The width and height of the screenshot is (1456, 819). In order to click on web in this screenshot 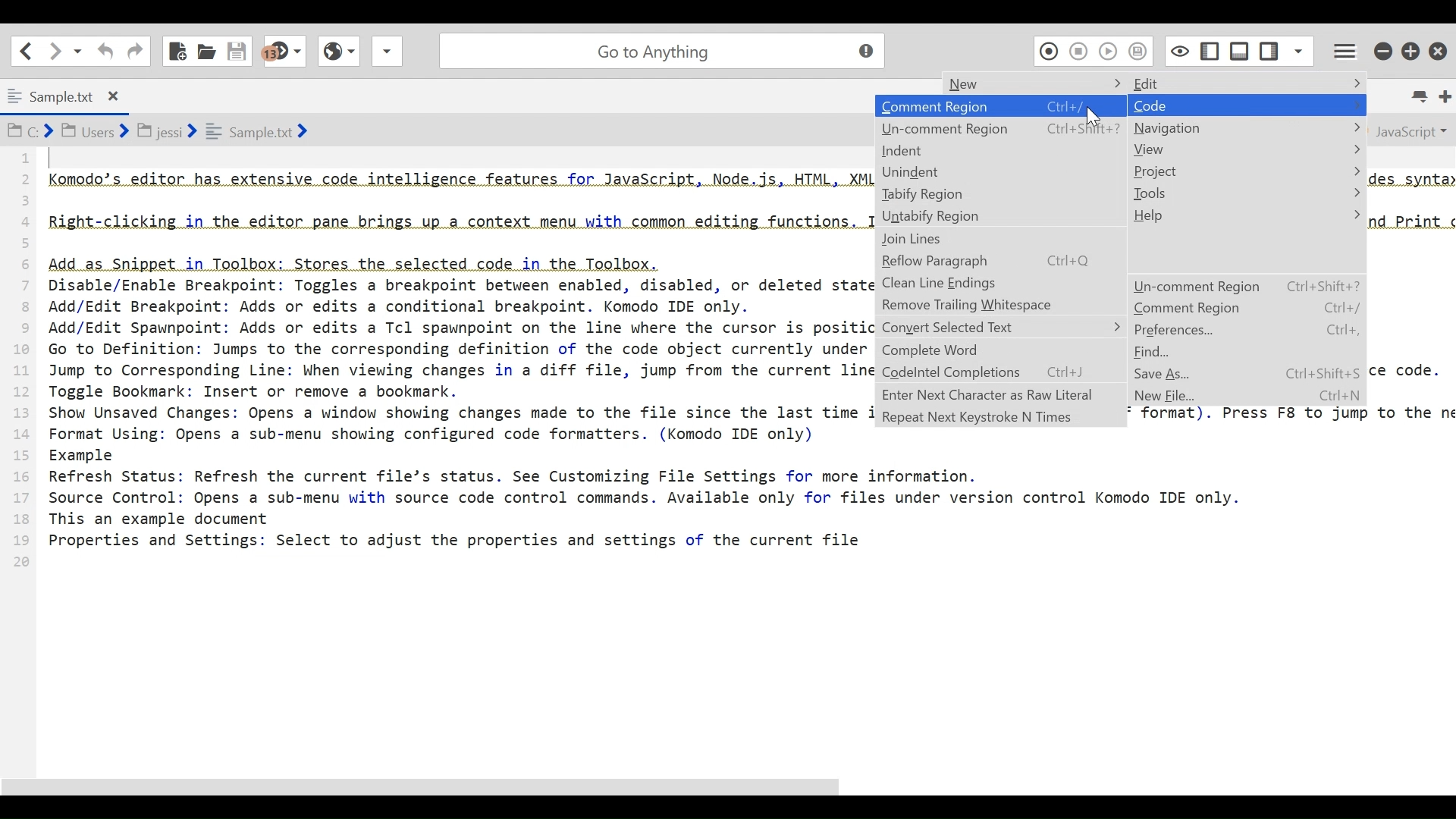, I will do `click(337, 55)`.